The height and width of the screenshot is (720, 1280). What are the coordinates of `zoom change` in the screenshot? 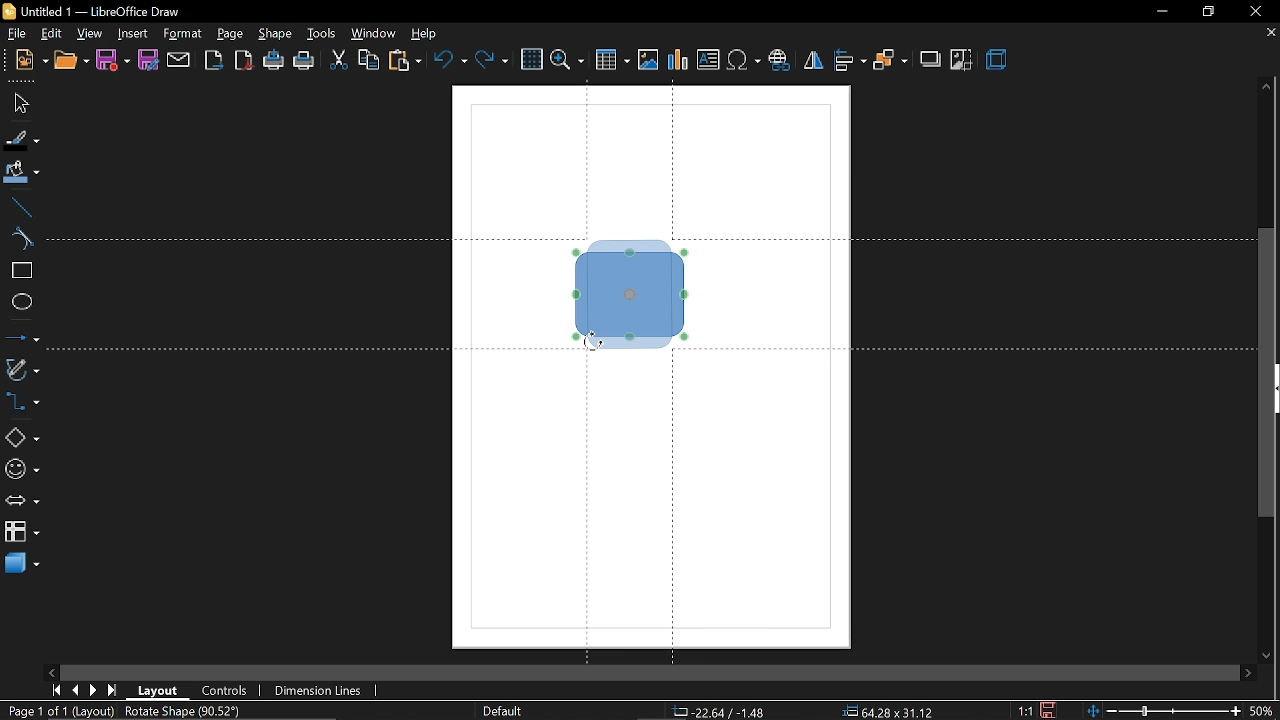 It's located at (1164, 712).